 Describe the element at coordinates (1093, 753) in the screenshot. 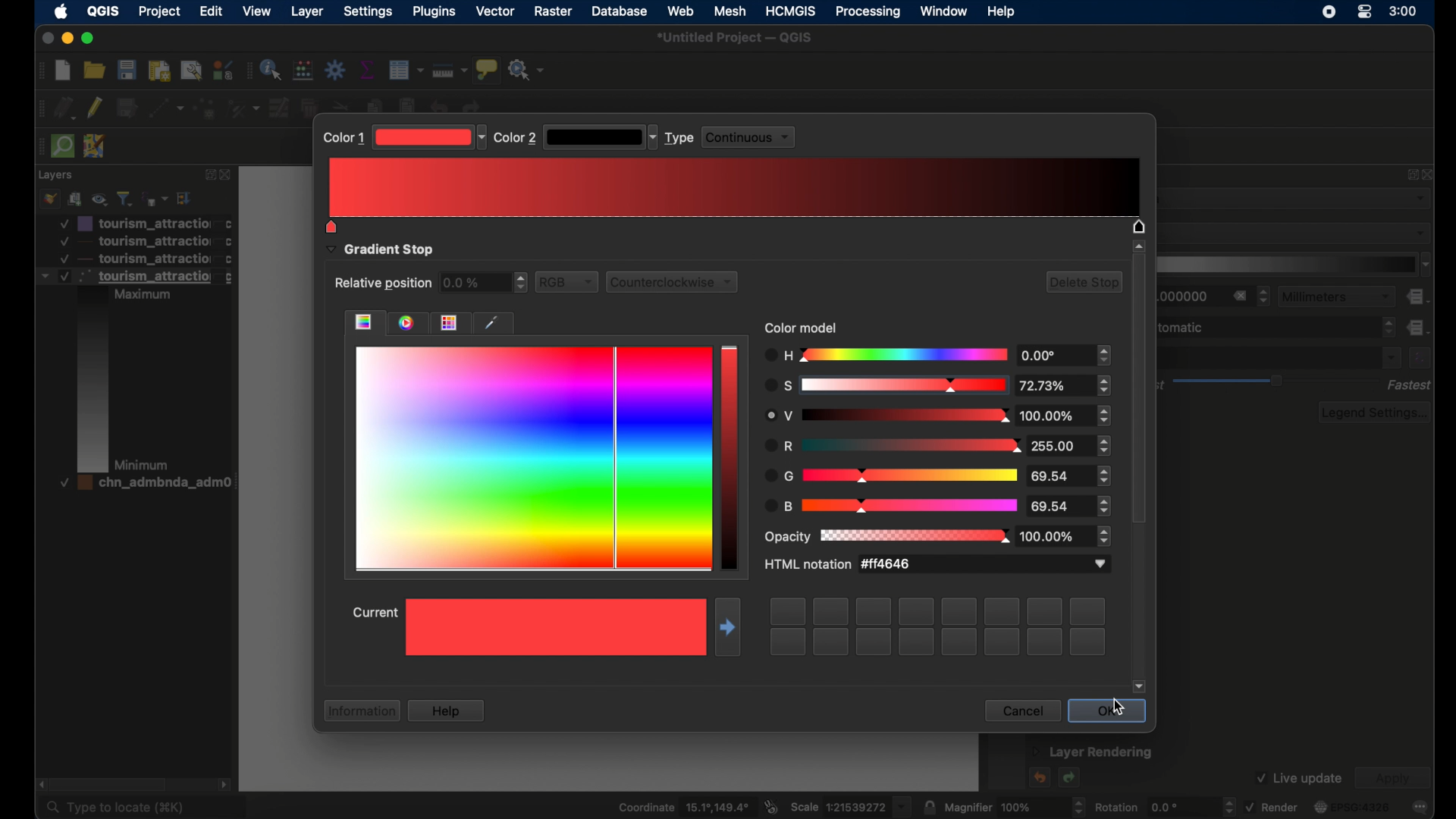

I see `layer rendering` at that location.